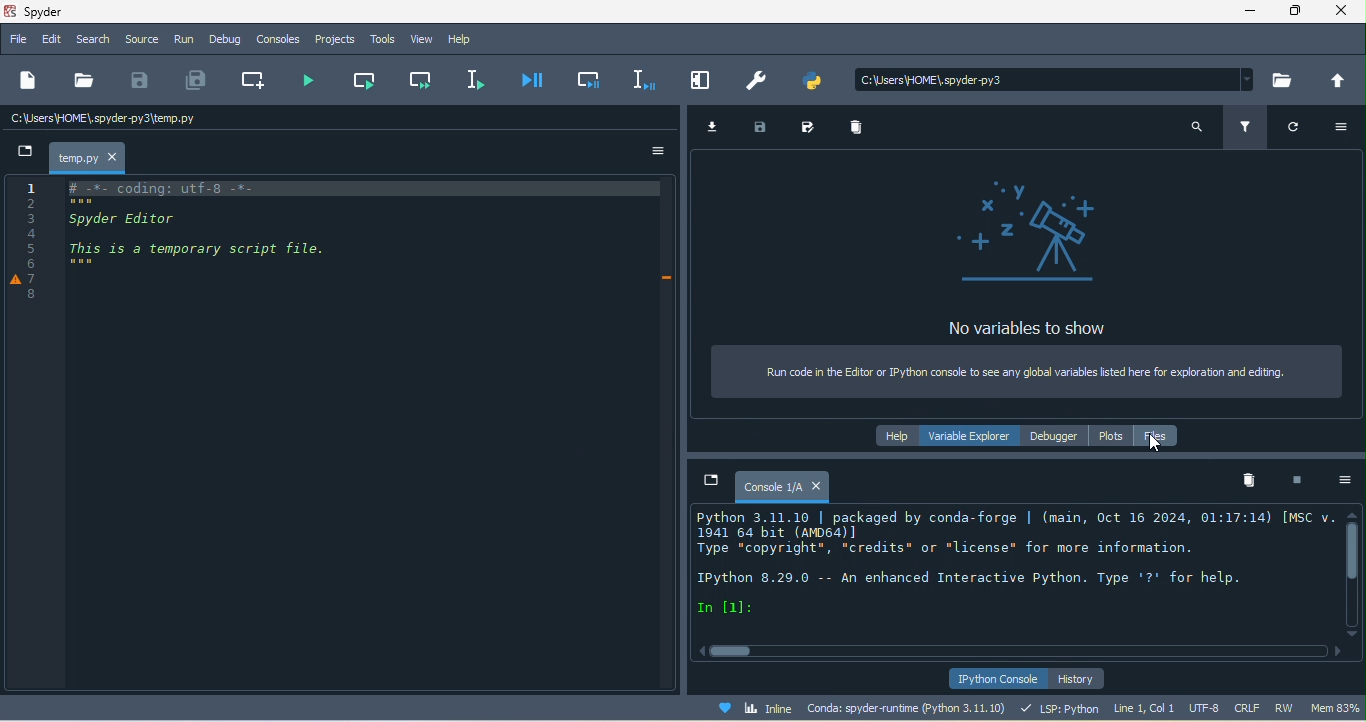 Image resolution: width=1366 pixels, height=722 pixels. I want to click on debug file, so click(533, 77).